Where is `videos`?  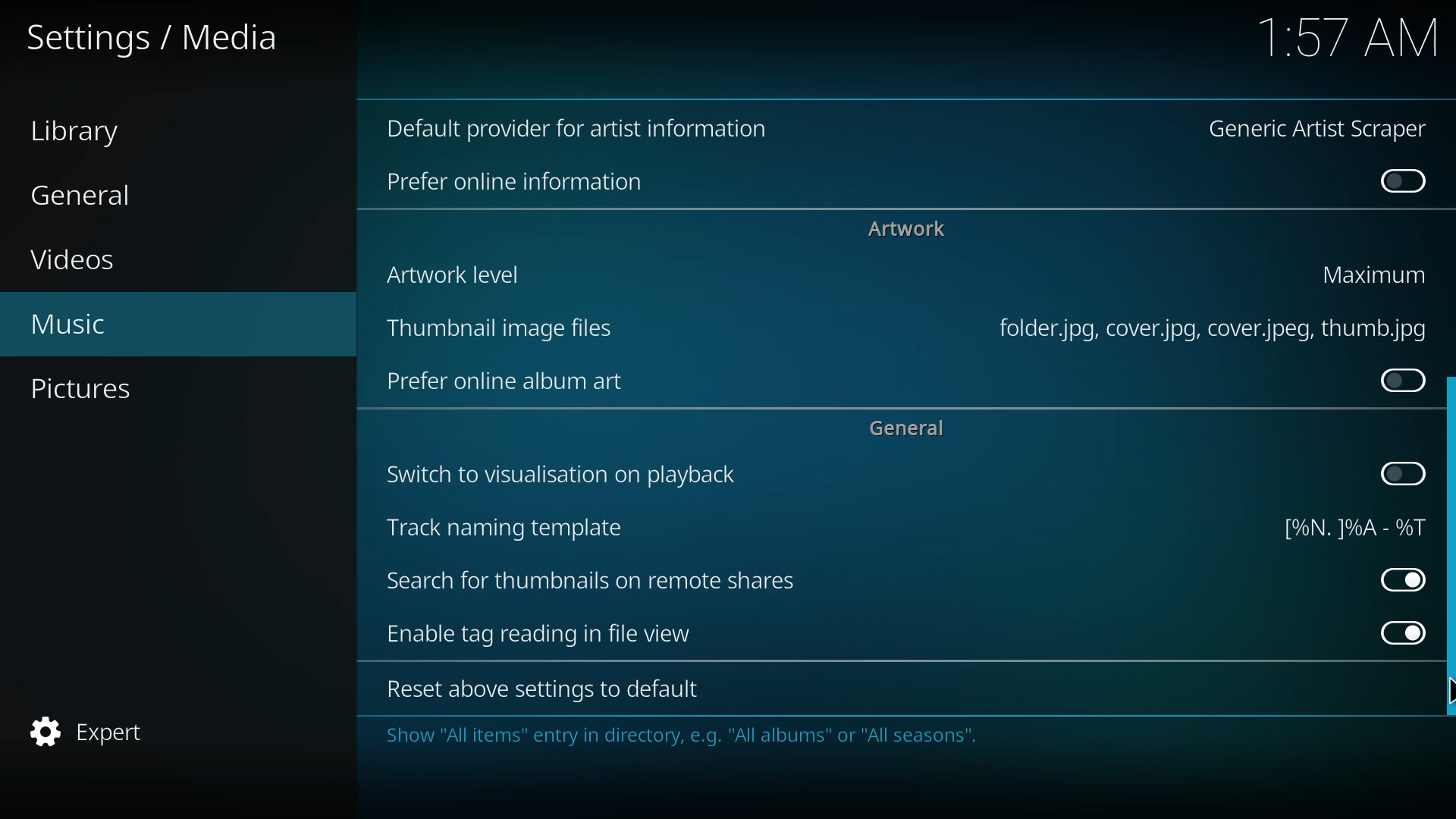 videos is located at coordinates (78, 260).